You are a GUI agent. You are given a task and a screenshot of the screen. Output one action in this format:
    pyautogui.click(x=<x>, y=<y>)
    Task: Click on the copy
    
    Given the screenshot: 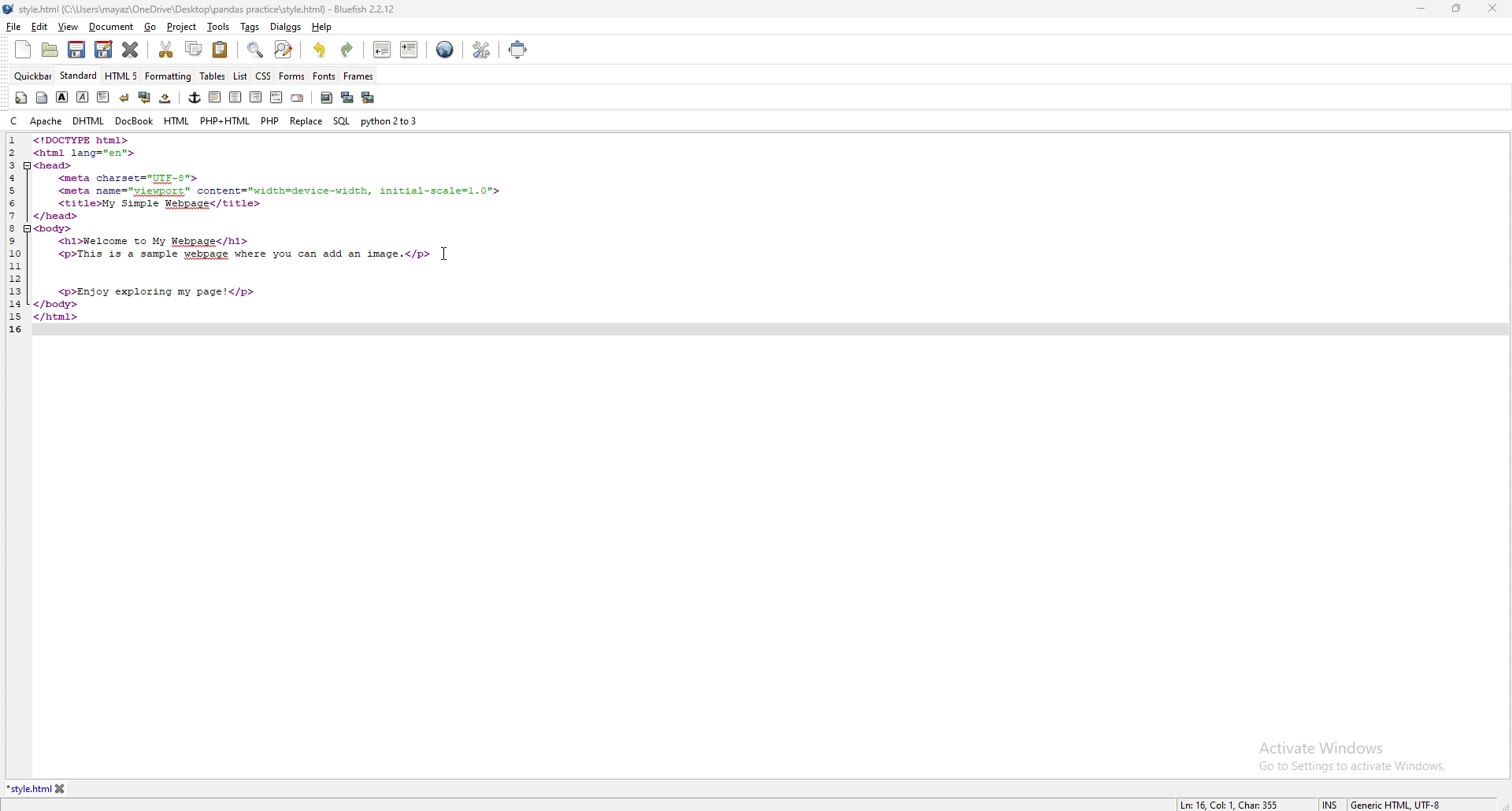 What is the action you would take?
    pyautogui.click(x=193, y=49)
    